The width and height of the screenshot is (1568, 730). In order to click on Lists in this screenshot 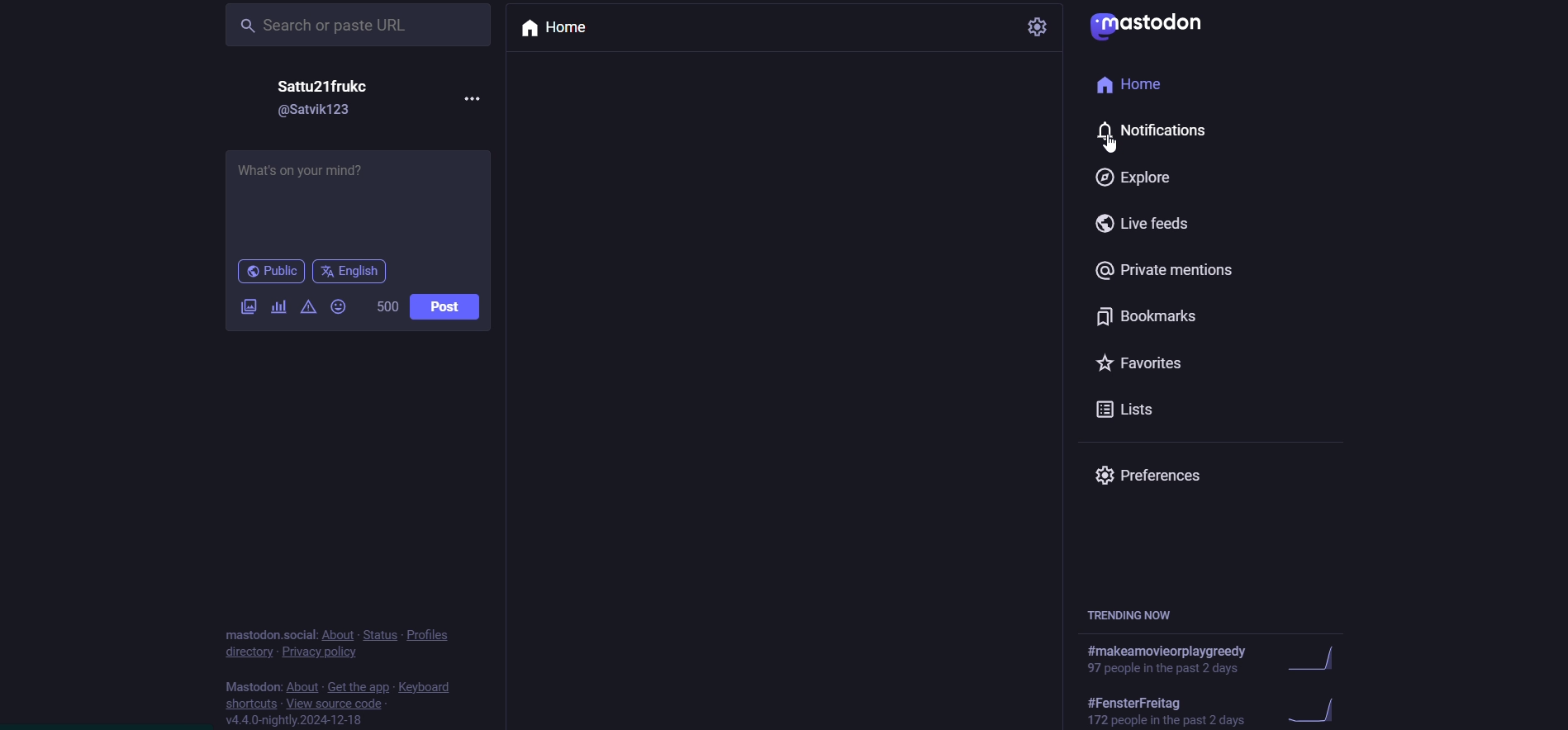, I will do `click(1133, 409)`.